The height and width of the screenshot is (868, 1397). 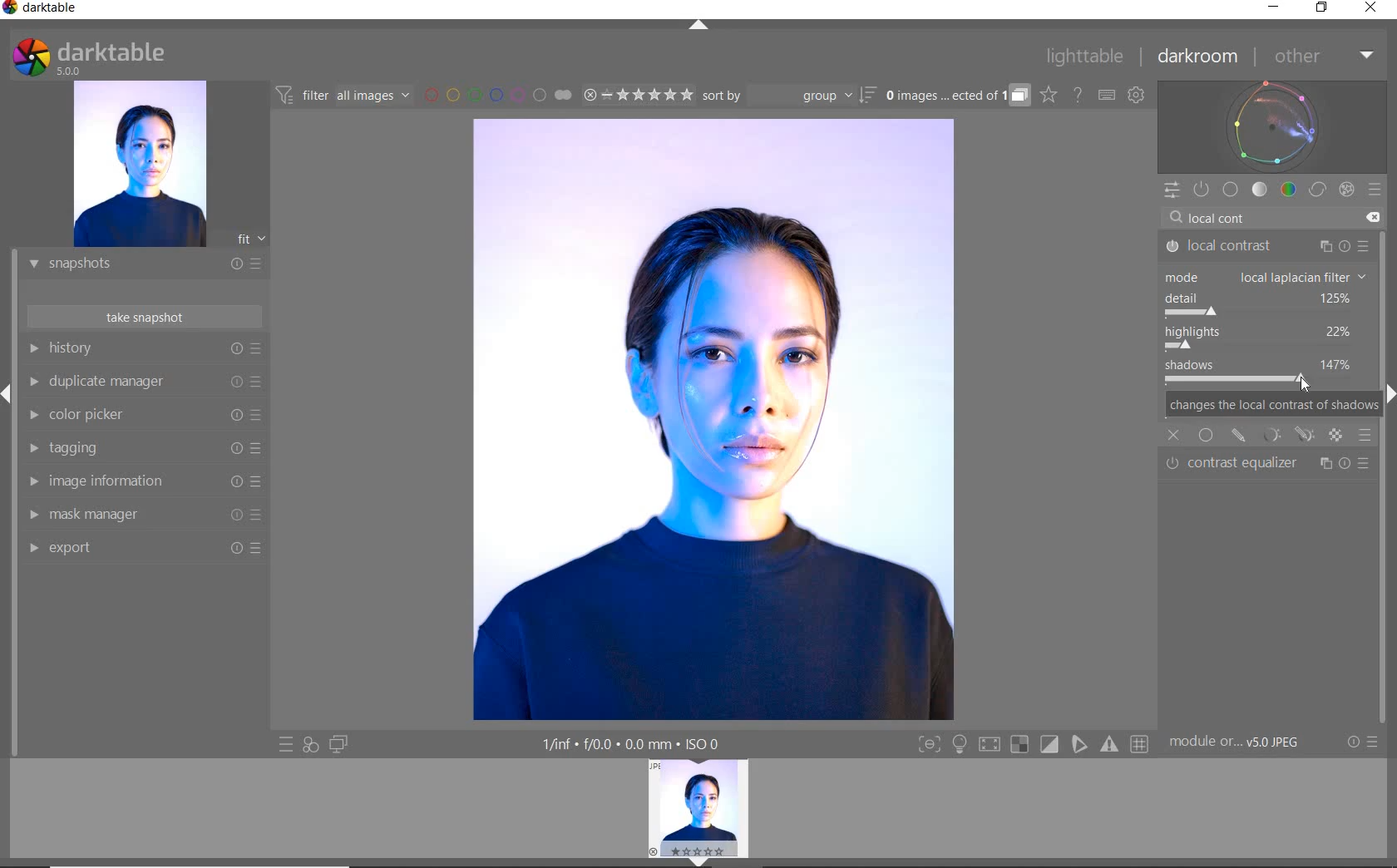 I want to click on mode: bilateral grid, so click(x=1266, y=277).